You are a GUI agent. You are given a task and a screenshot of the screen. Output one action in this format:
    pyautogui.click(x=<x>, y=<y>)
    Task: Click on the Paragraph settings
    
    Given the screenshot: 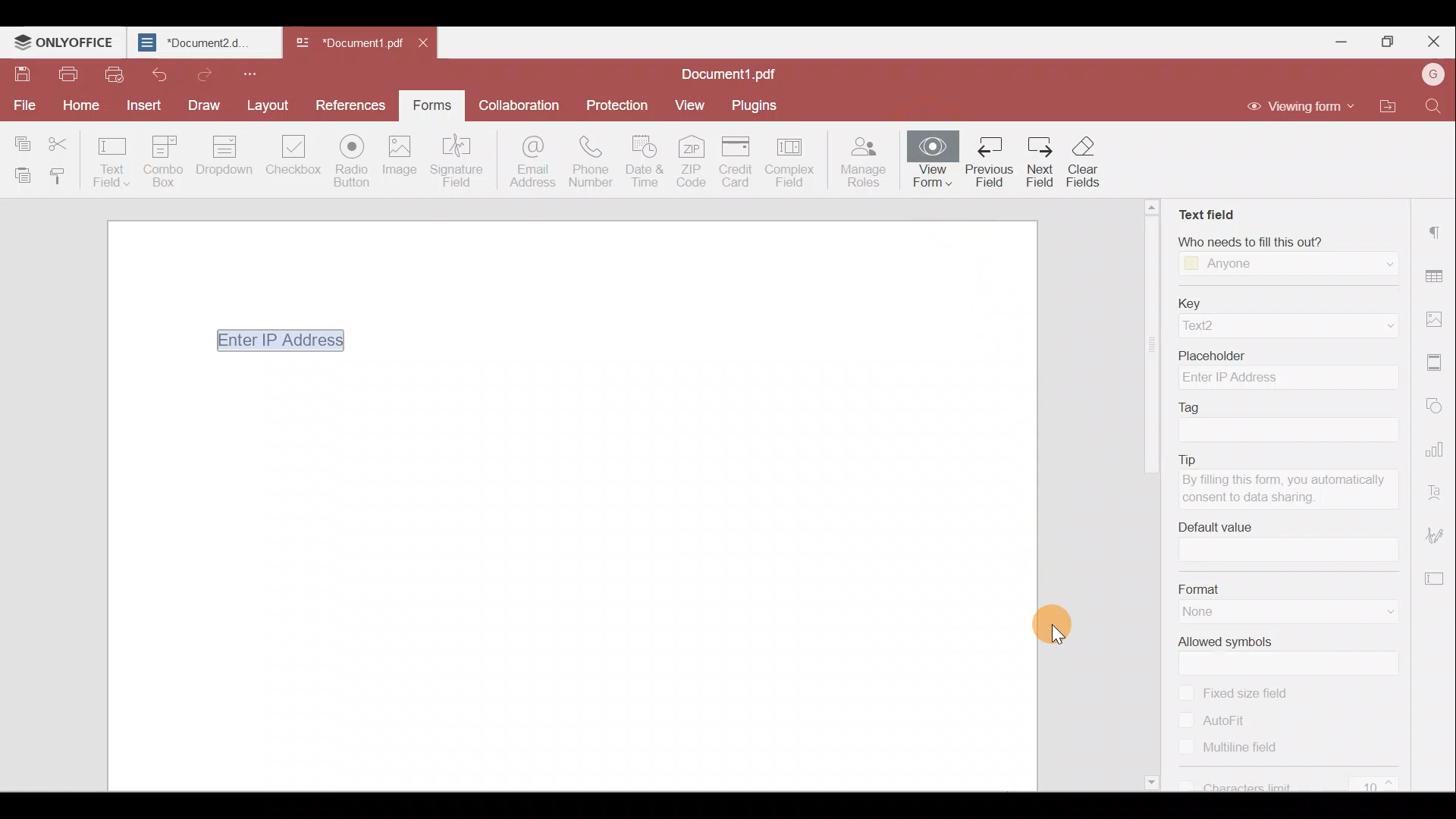 What is the action you would take?
    pyautogui.click(x=1437, y=231)
    